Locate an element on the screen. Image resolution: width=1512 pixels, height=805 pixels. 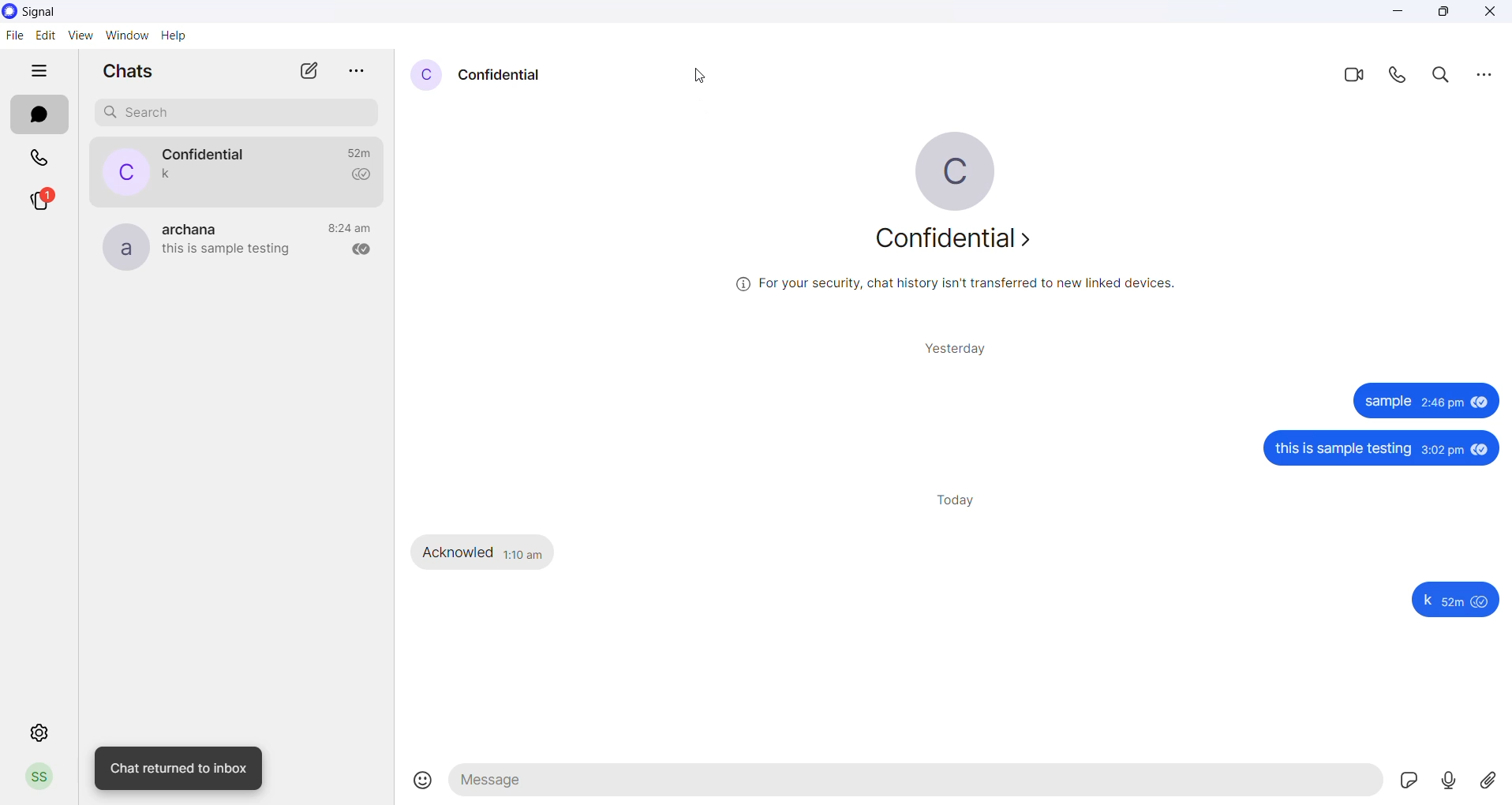
search in chat is located at coordinates (1446, 76).